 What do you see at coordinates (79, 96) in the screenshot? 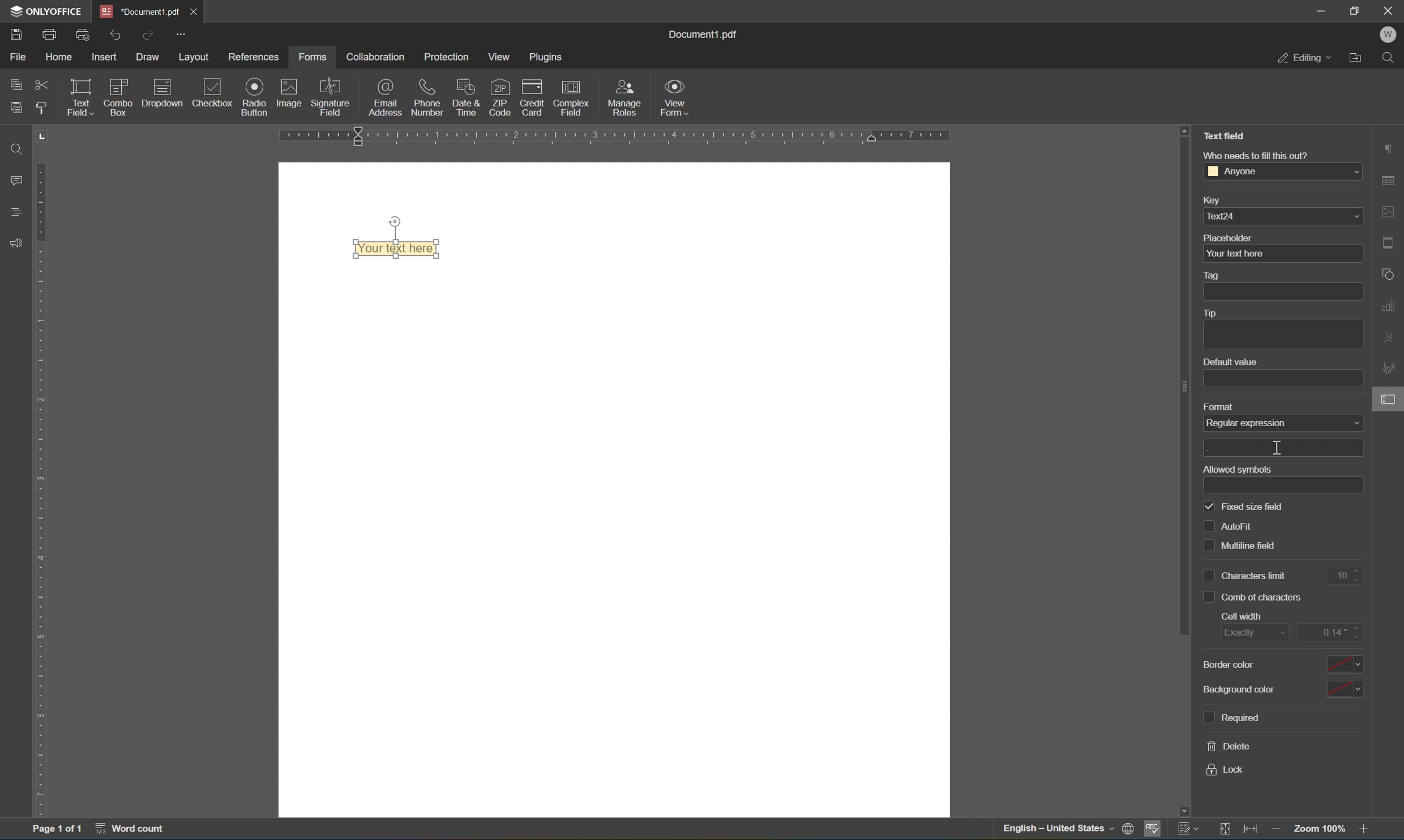
I see `text field` at bounding box center [79, 96].